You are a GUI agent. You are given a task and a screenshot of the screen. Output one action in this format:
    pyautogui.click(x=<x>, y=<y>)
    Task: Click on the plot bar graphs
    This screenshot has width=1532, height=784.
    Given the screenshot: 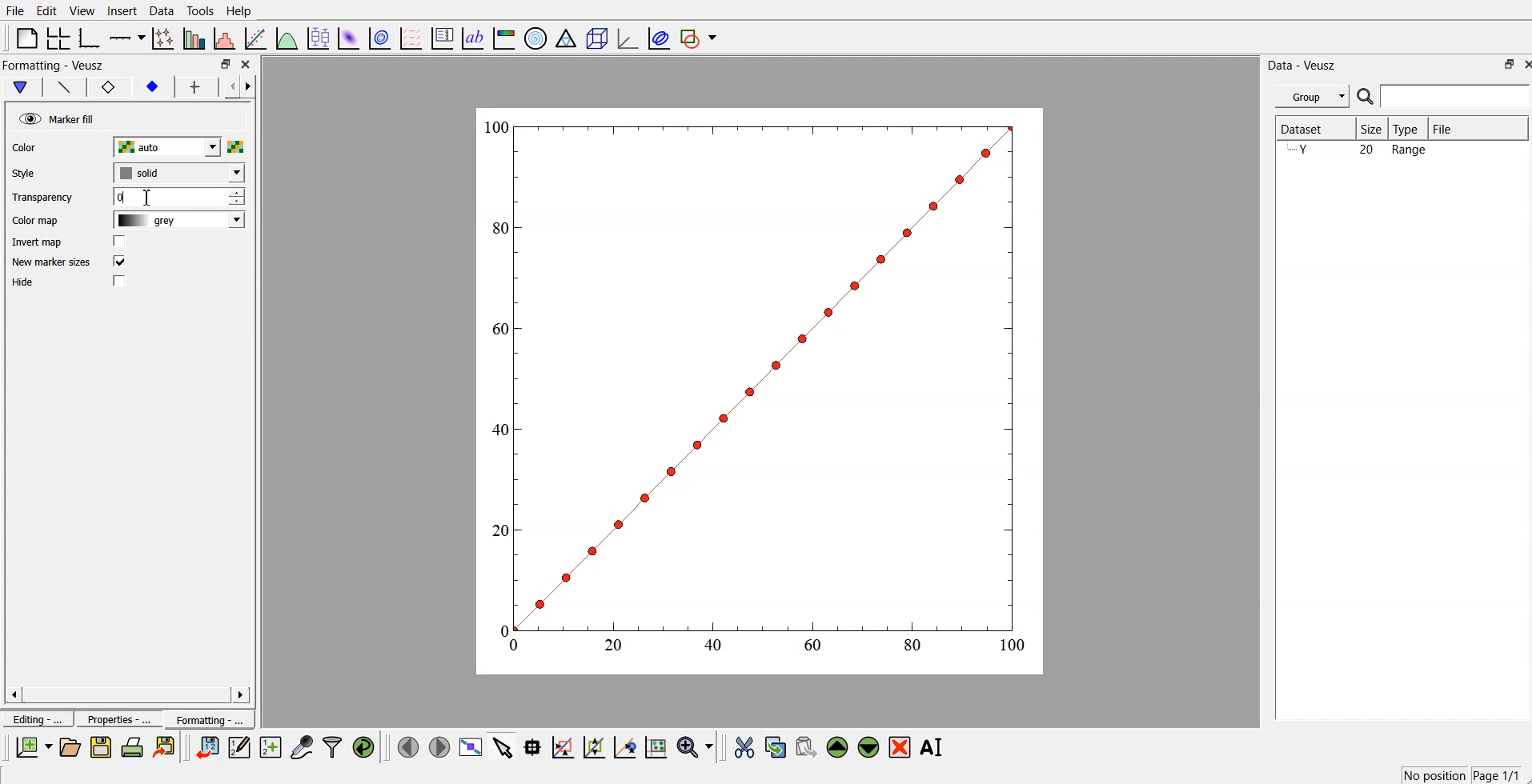 What is the action you would take?
    pyautogui.click(x=195, y=38)
    